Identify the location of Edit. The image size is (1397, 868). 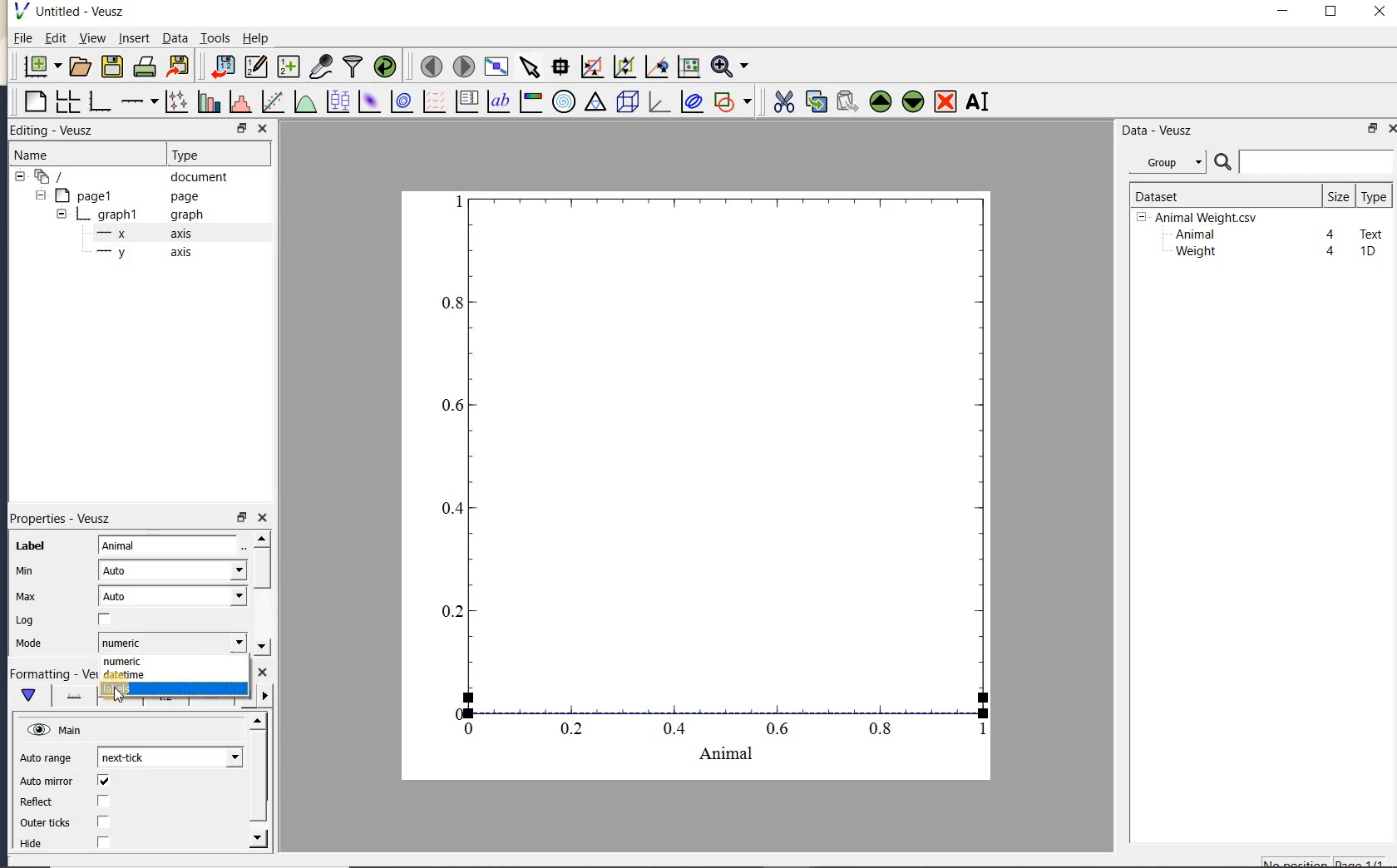
(52, 40).